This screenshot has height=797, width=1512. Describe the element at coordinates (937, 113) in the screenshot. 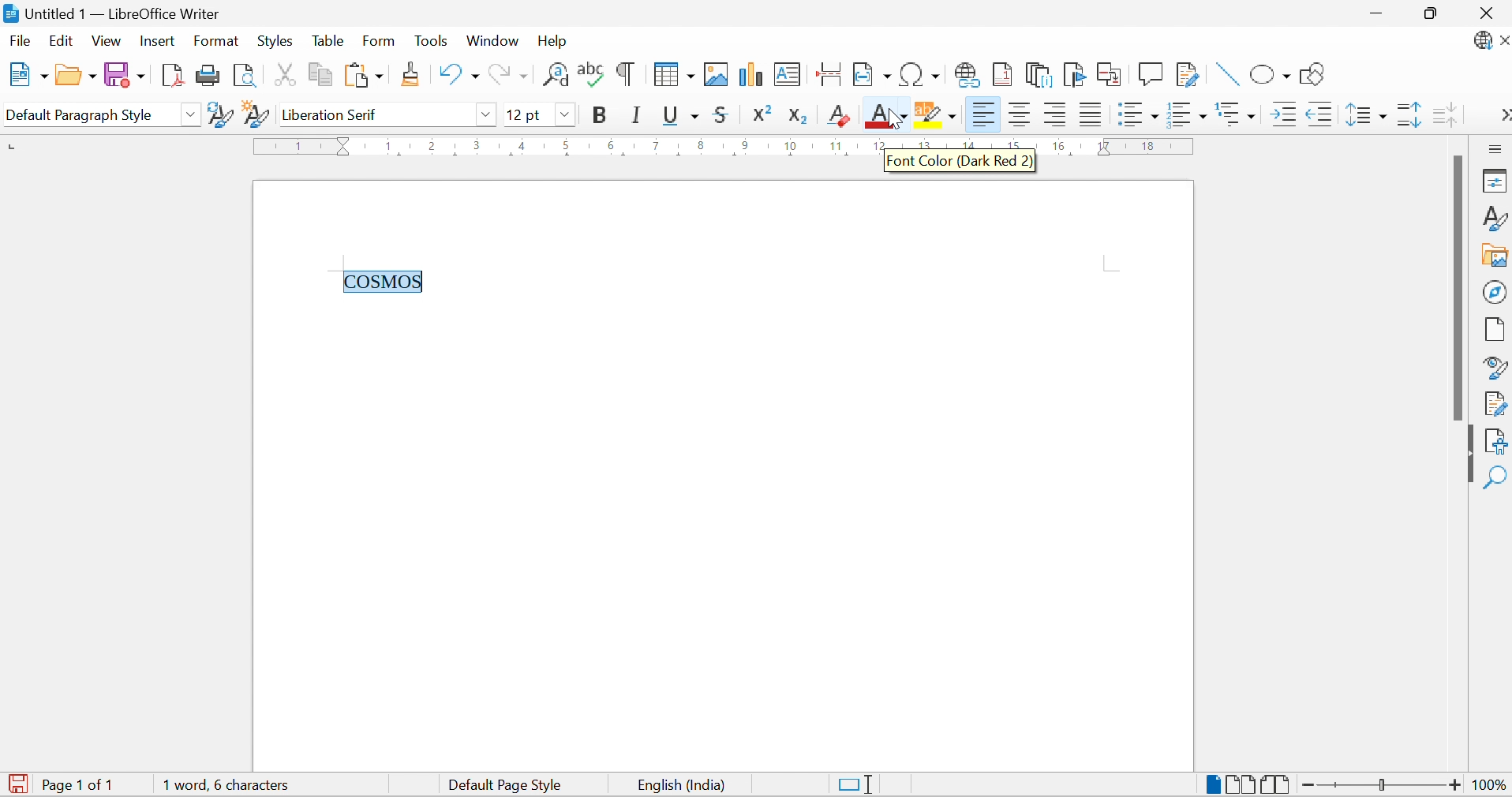

I see `Character Highlighting Color` at that location.